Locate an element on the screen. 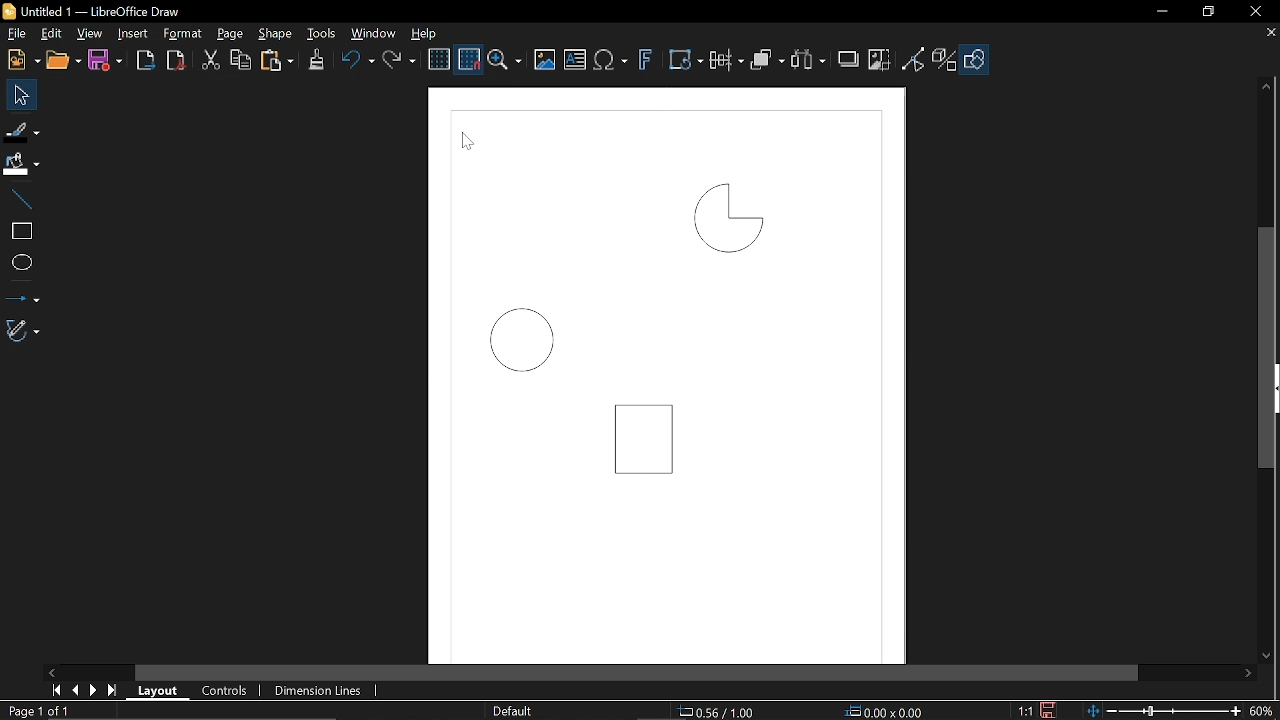 Image resolution: width=1280 pixels, height=720 pixels. Arrange is located at coordinates (767, 62).